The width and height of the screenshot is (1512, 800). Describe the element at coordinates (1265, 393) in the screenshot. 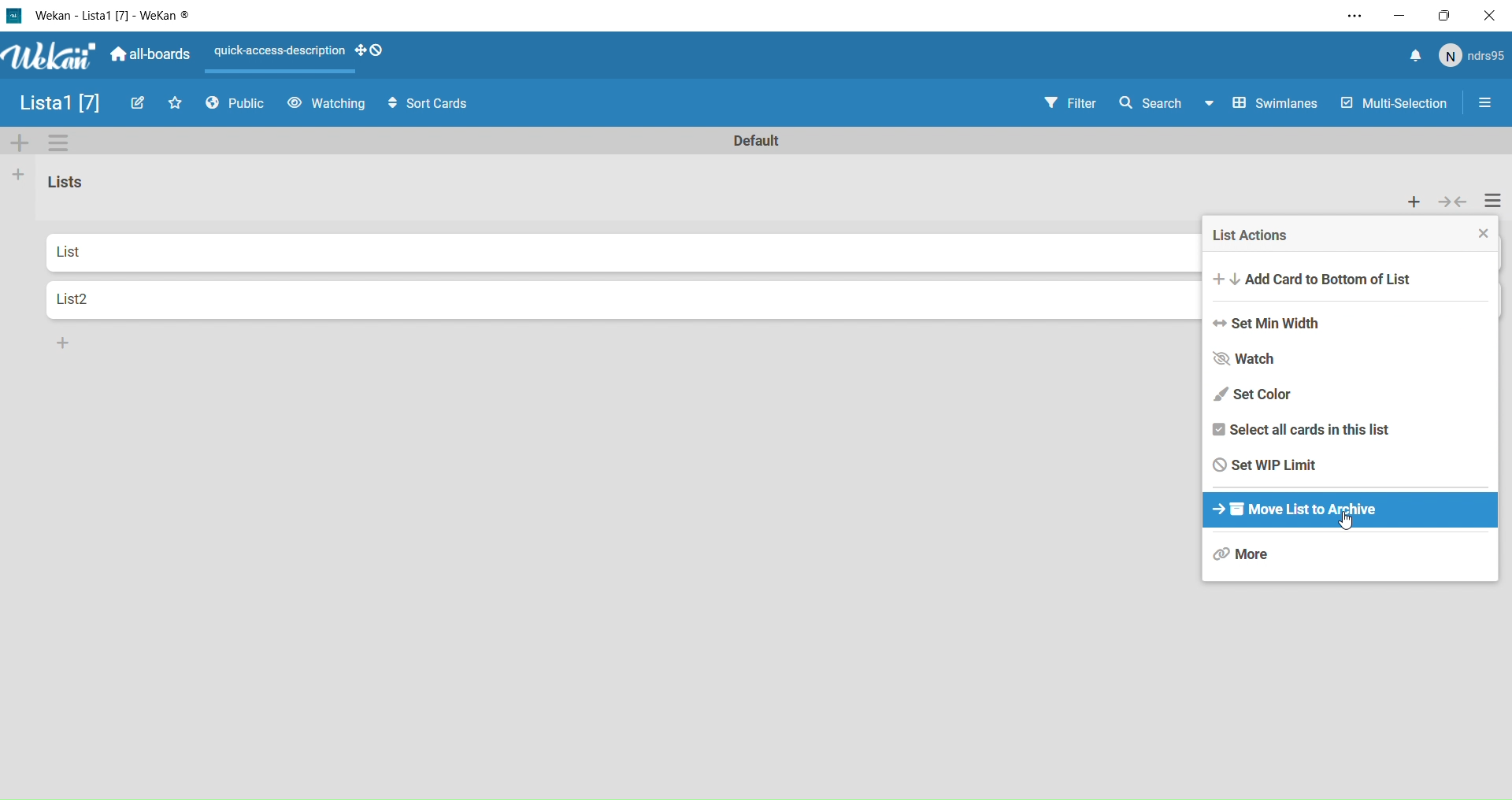

I see `Set Color` at that location.